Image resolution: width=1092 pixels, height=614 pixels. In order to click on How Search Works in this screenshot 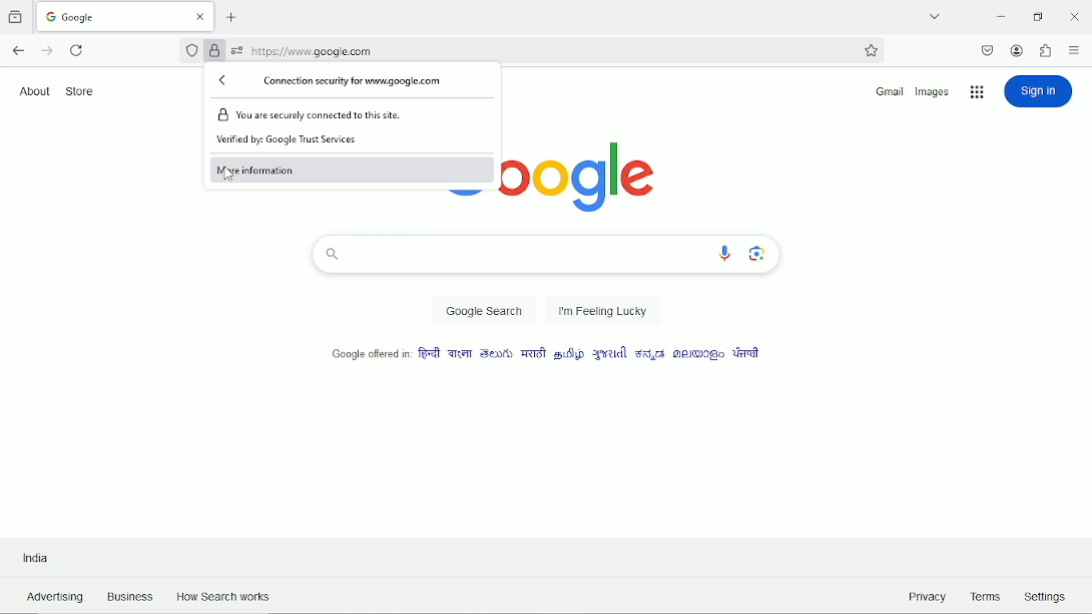, I will do `click(231, 596)`.